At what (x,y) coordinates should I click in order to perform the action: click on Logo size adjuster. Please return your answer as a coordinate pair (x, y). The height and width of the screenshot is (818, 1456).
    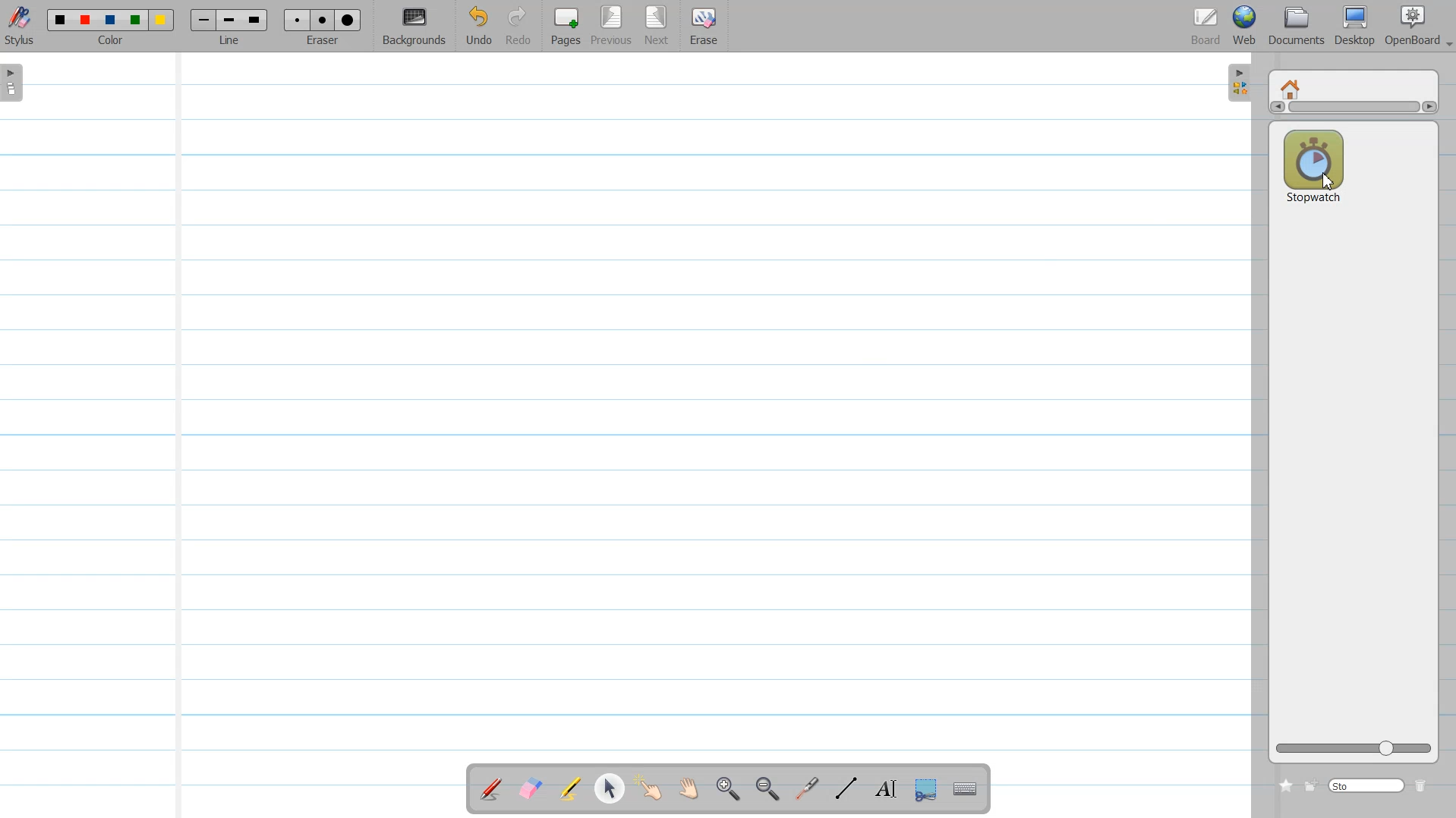
    Looking at the image, I should click on (1354, 749).